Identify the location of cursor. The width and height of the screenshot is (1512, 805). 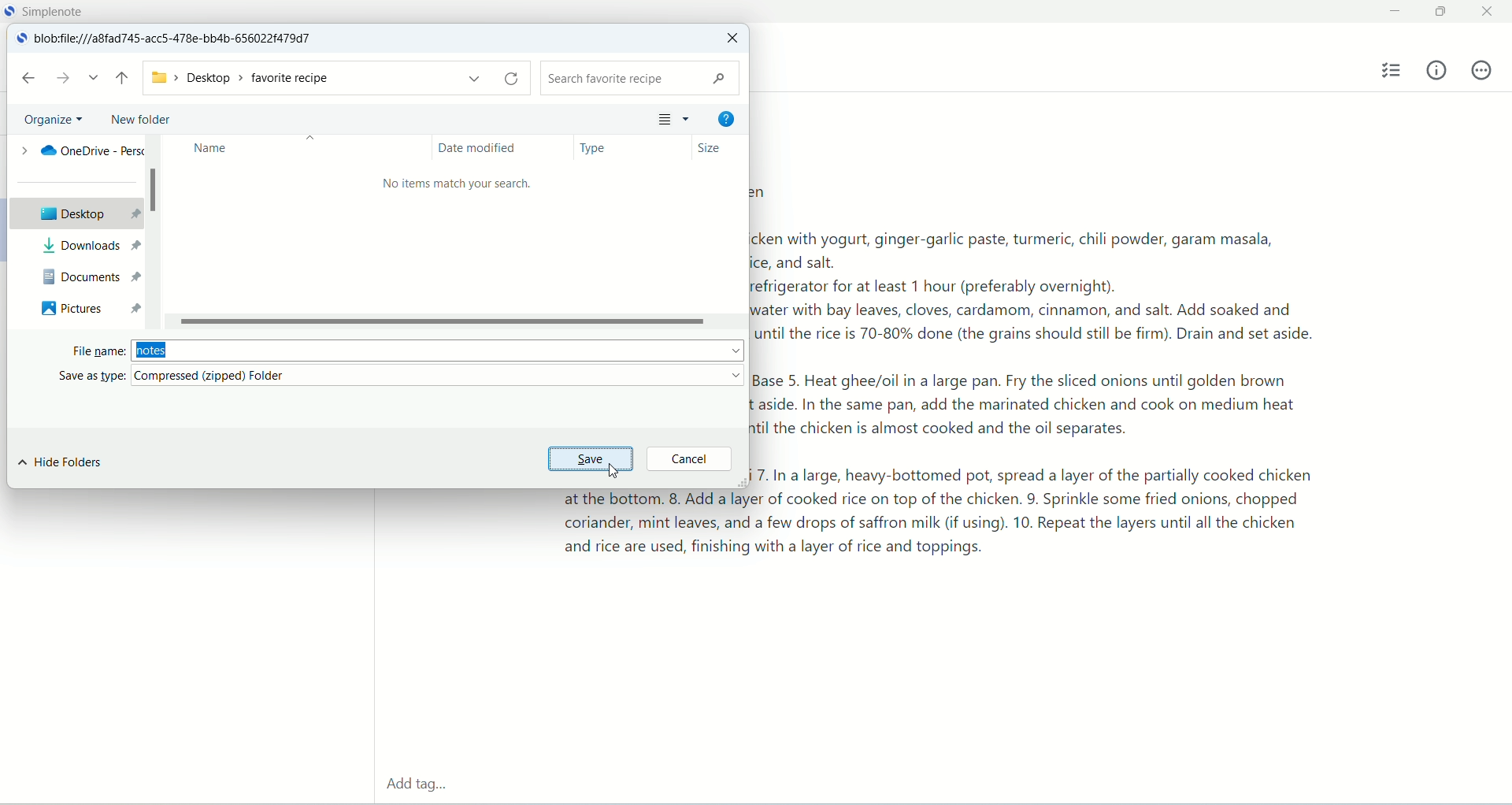
(611, 473).